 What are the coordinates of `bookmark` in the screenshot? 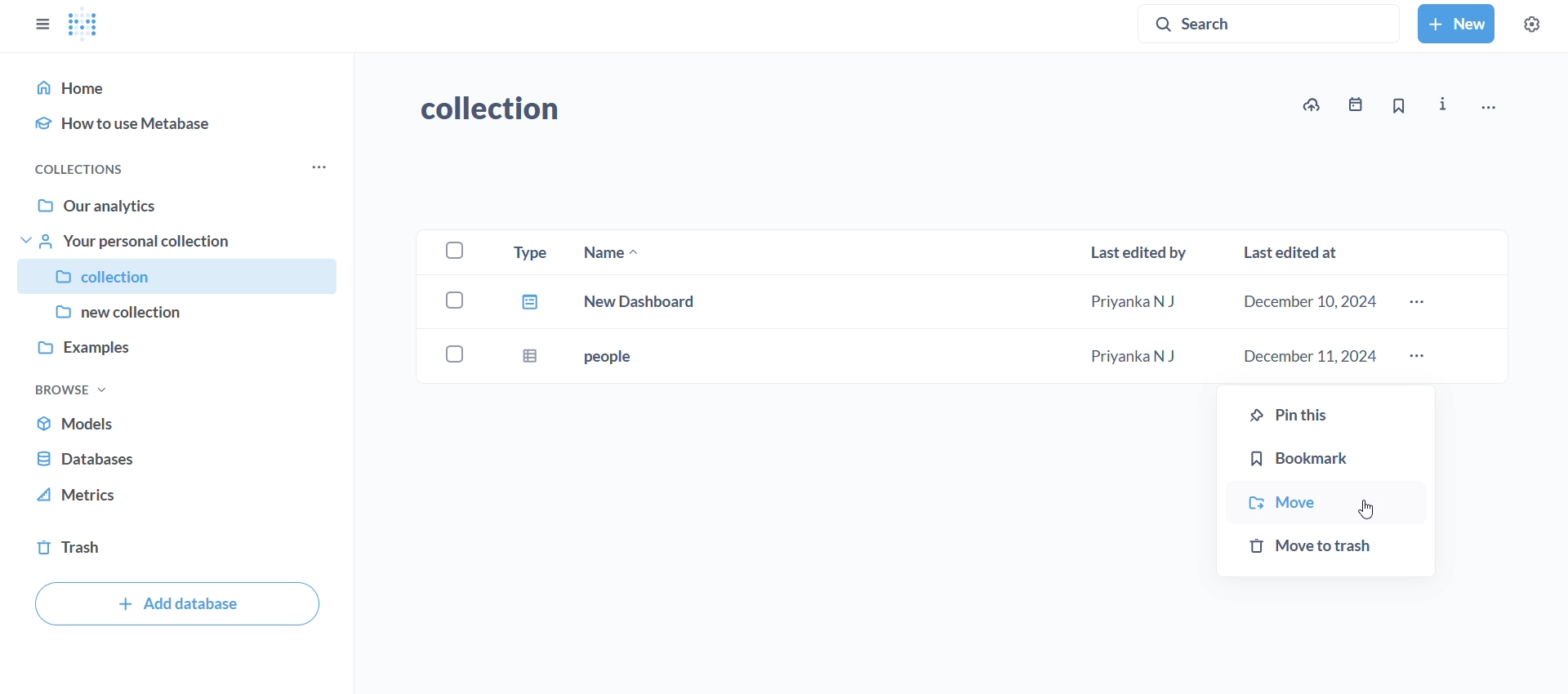 It's located at (1325, 458).